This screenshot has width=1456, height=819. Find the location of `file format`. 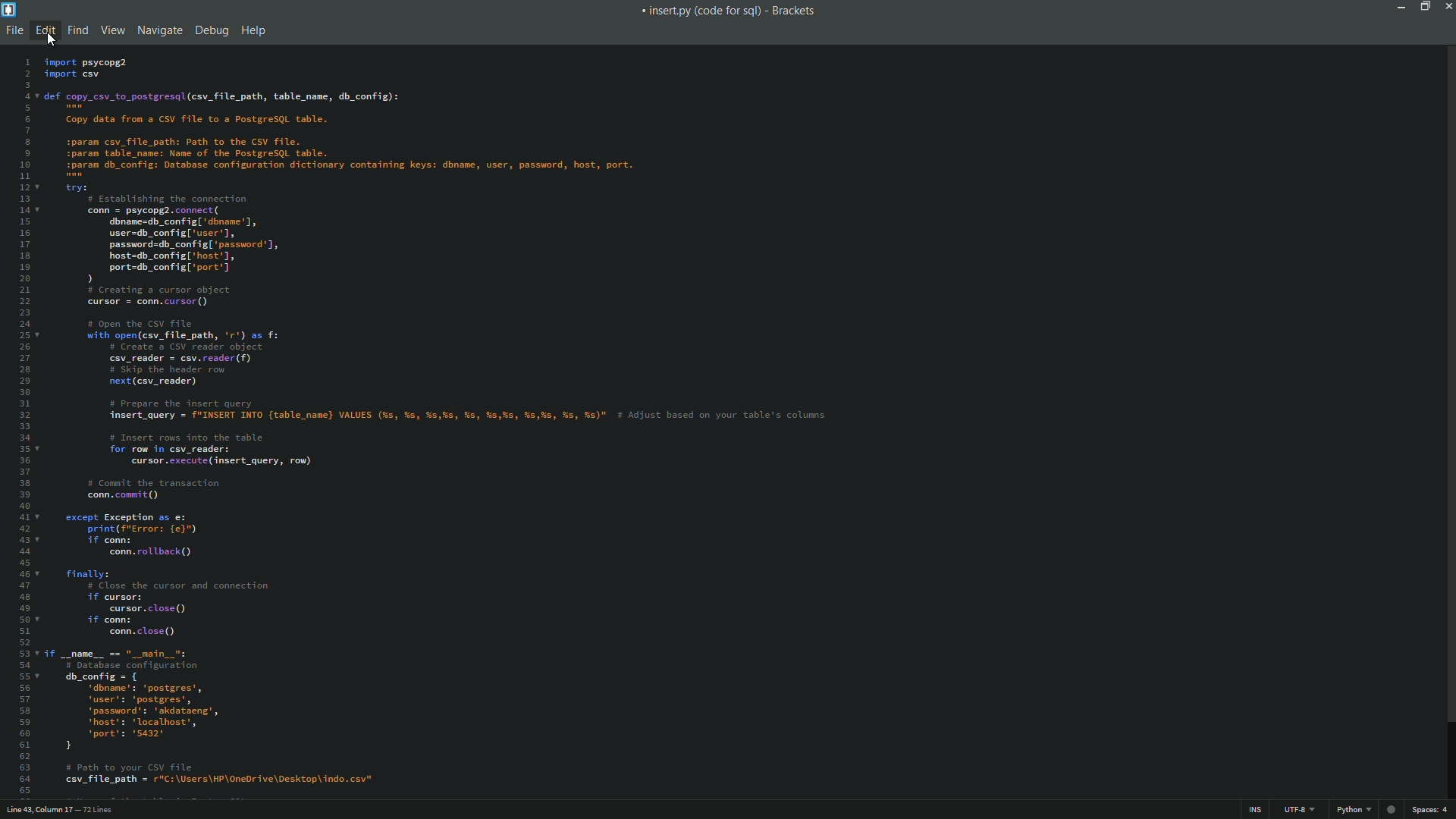

file format is located at coordinates (1354, 810).